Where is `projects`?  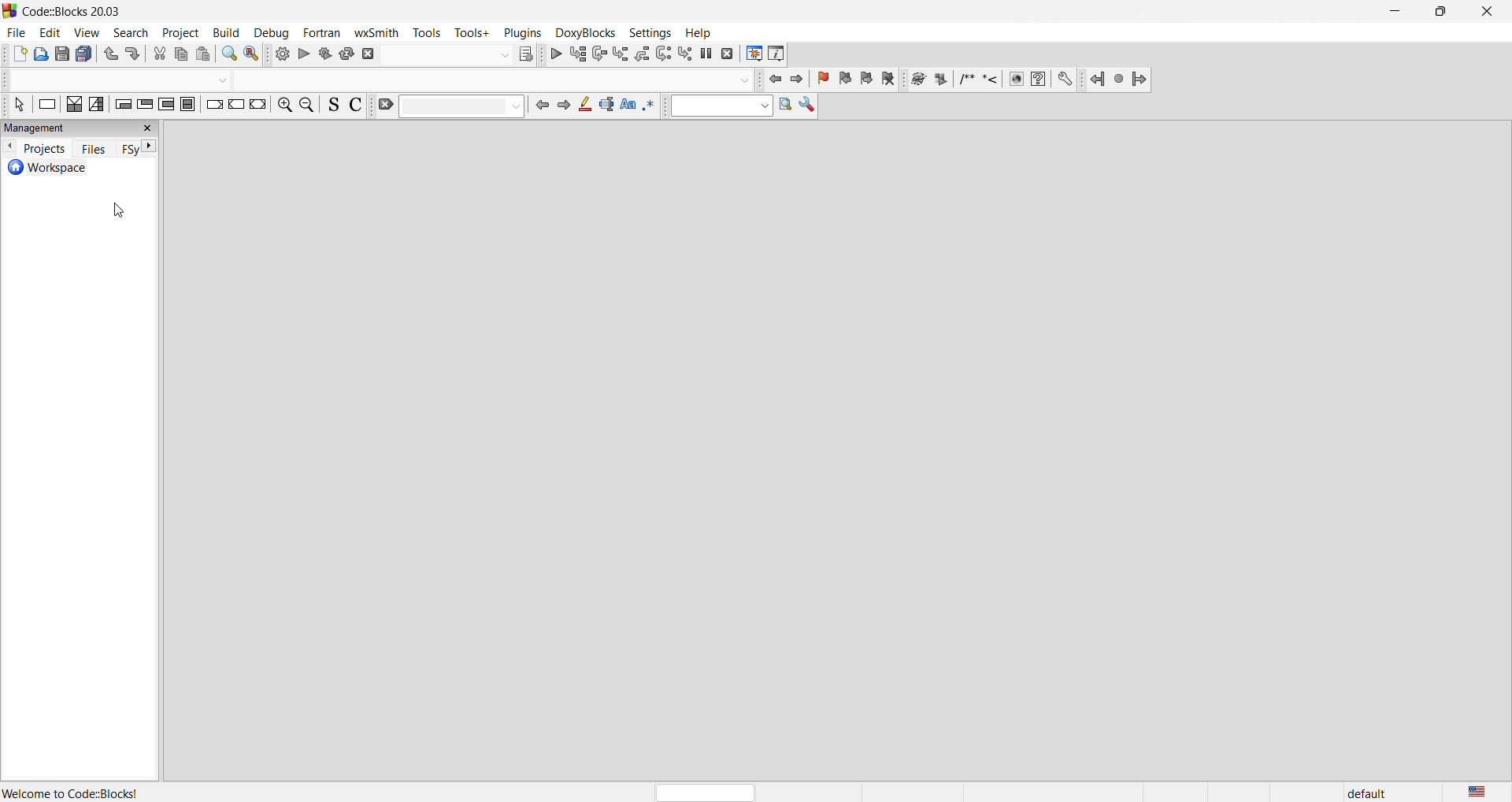 projects is located at coordinates (42, 149).